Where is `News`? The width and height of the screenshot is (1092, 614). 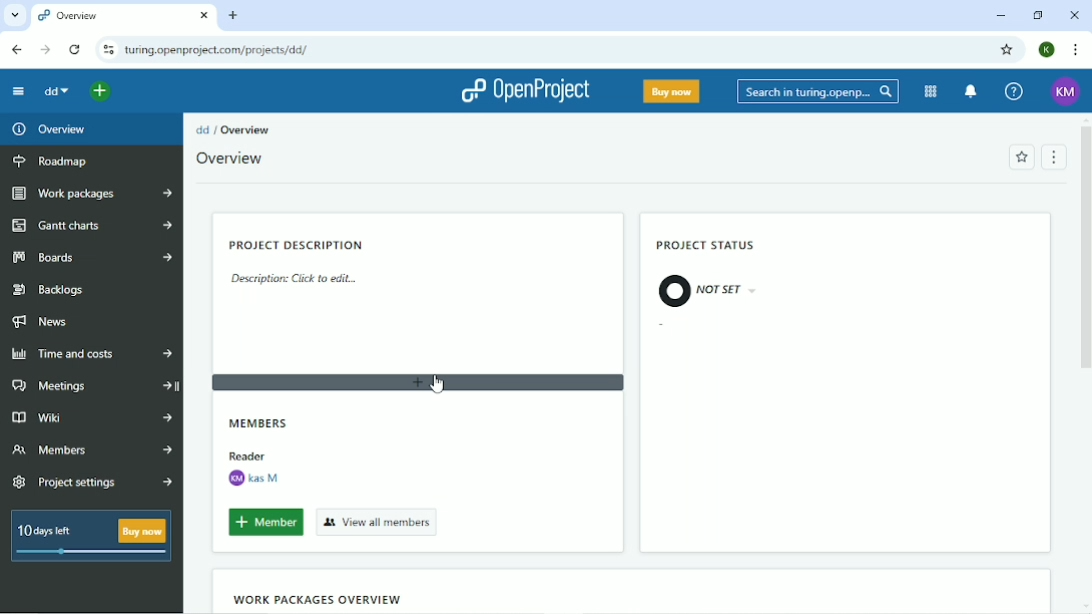
News is located at coordinates (44, 322).